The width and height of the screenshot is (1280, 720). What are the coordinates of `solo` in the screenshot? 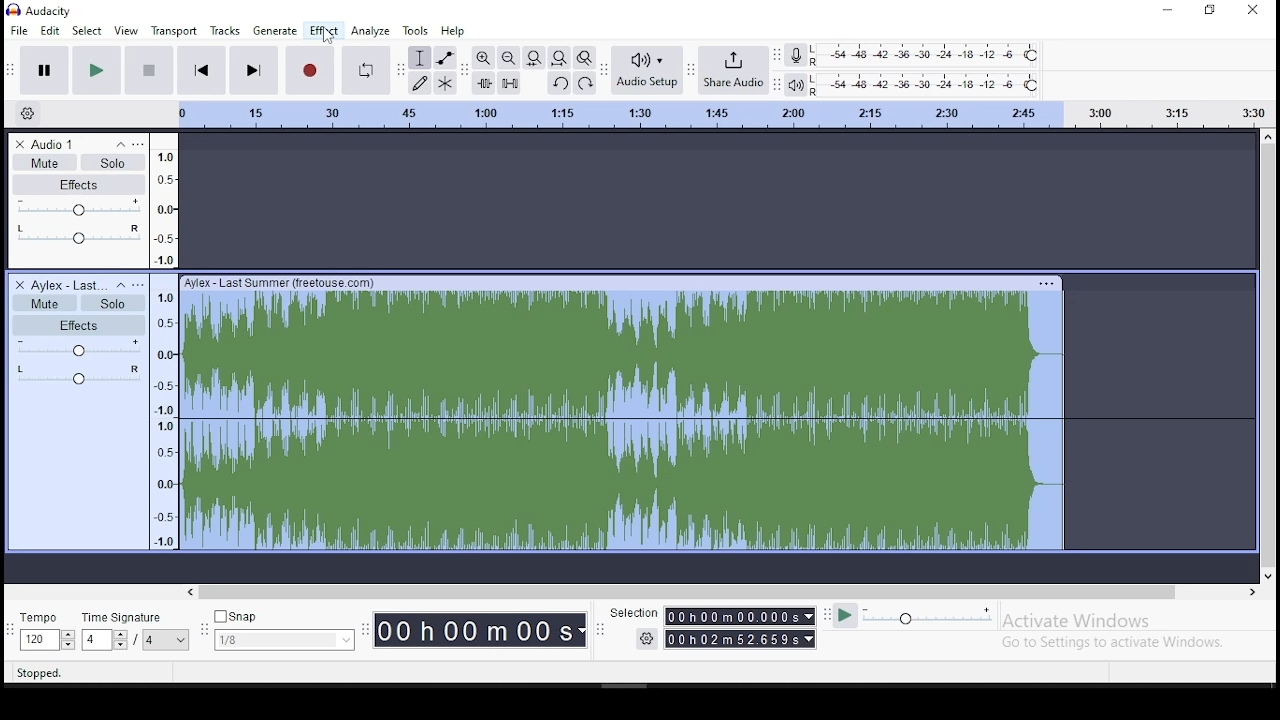 It's located at (111, 303).